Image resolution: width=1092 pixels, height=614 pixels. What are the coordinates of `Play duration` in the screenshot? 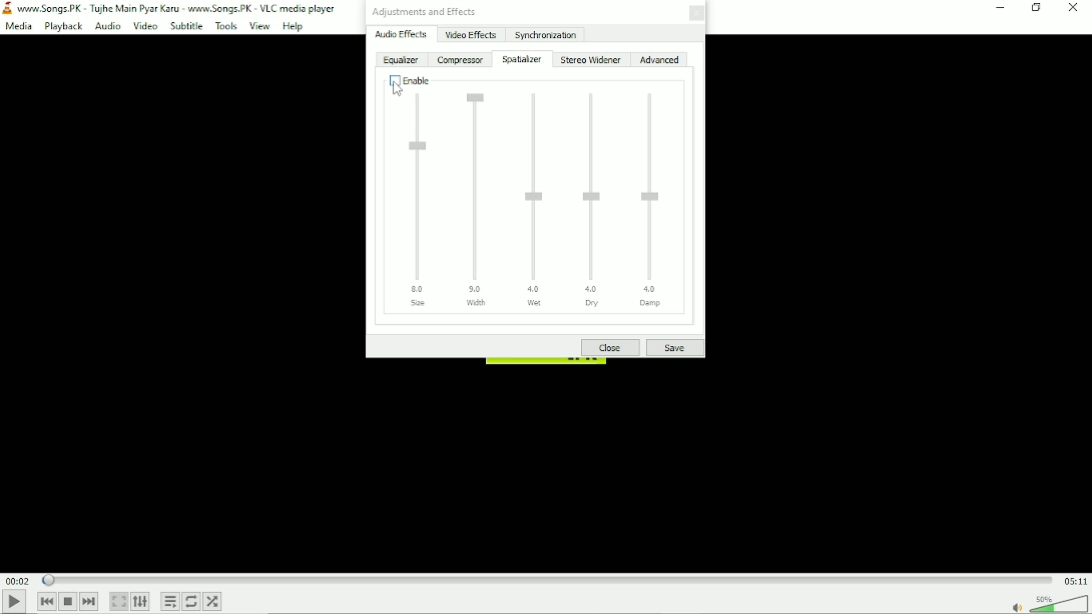 It's located at (547, 579).